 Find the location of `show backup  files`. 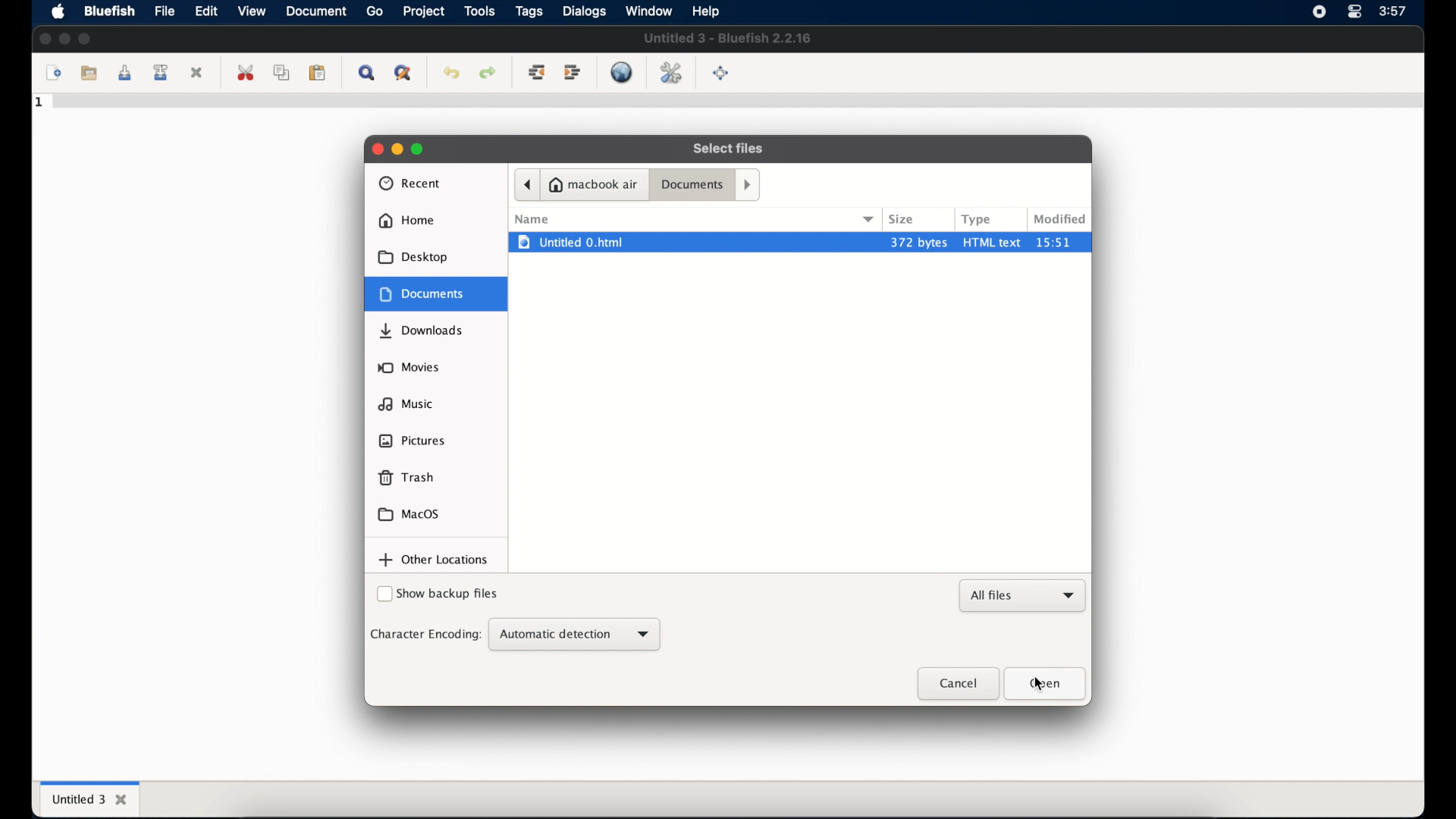

show backup  files is located at coordinates (438, 595).